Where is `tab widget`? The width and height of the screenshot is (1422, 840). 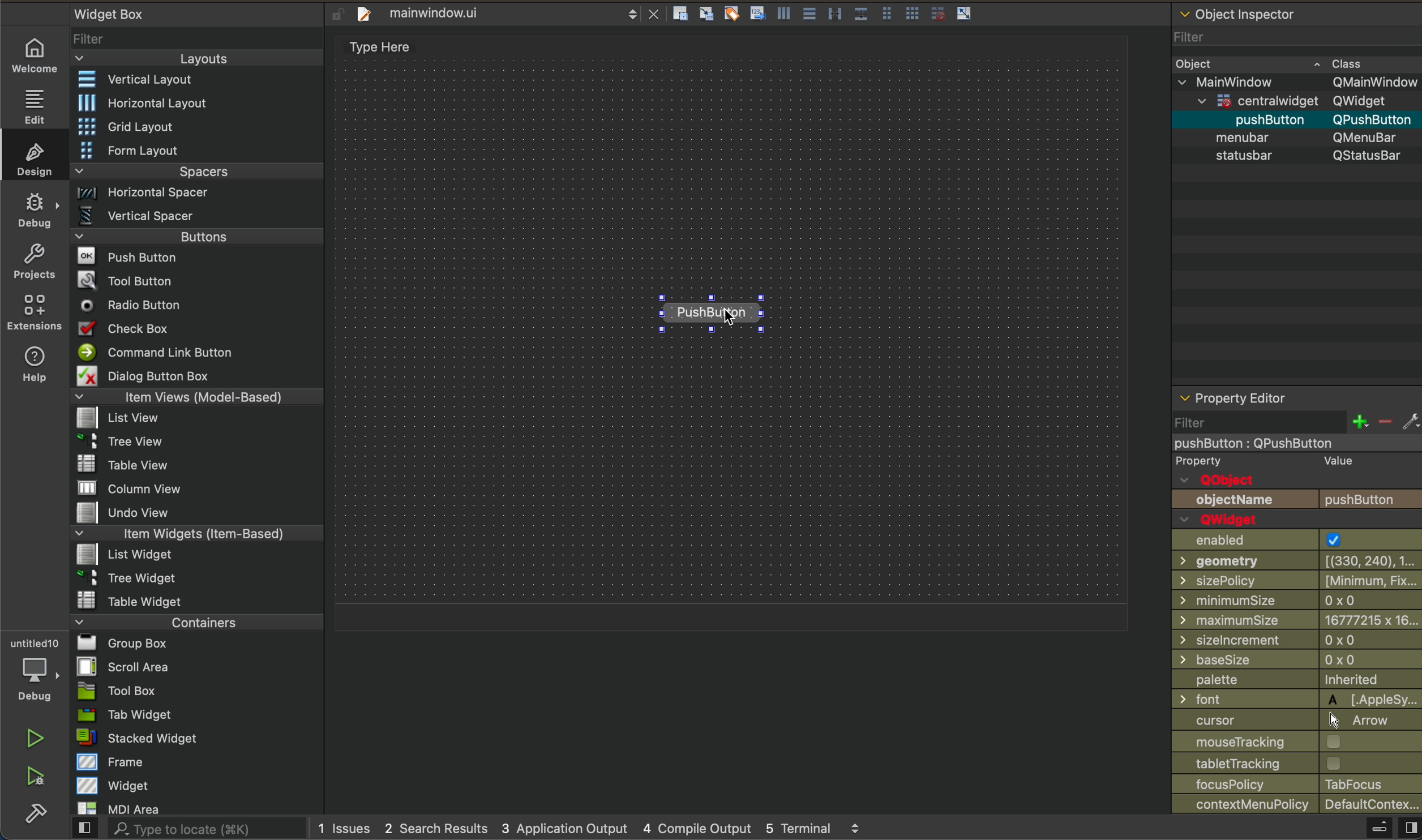 tab widget is located at coordinates (194, 717).